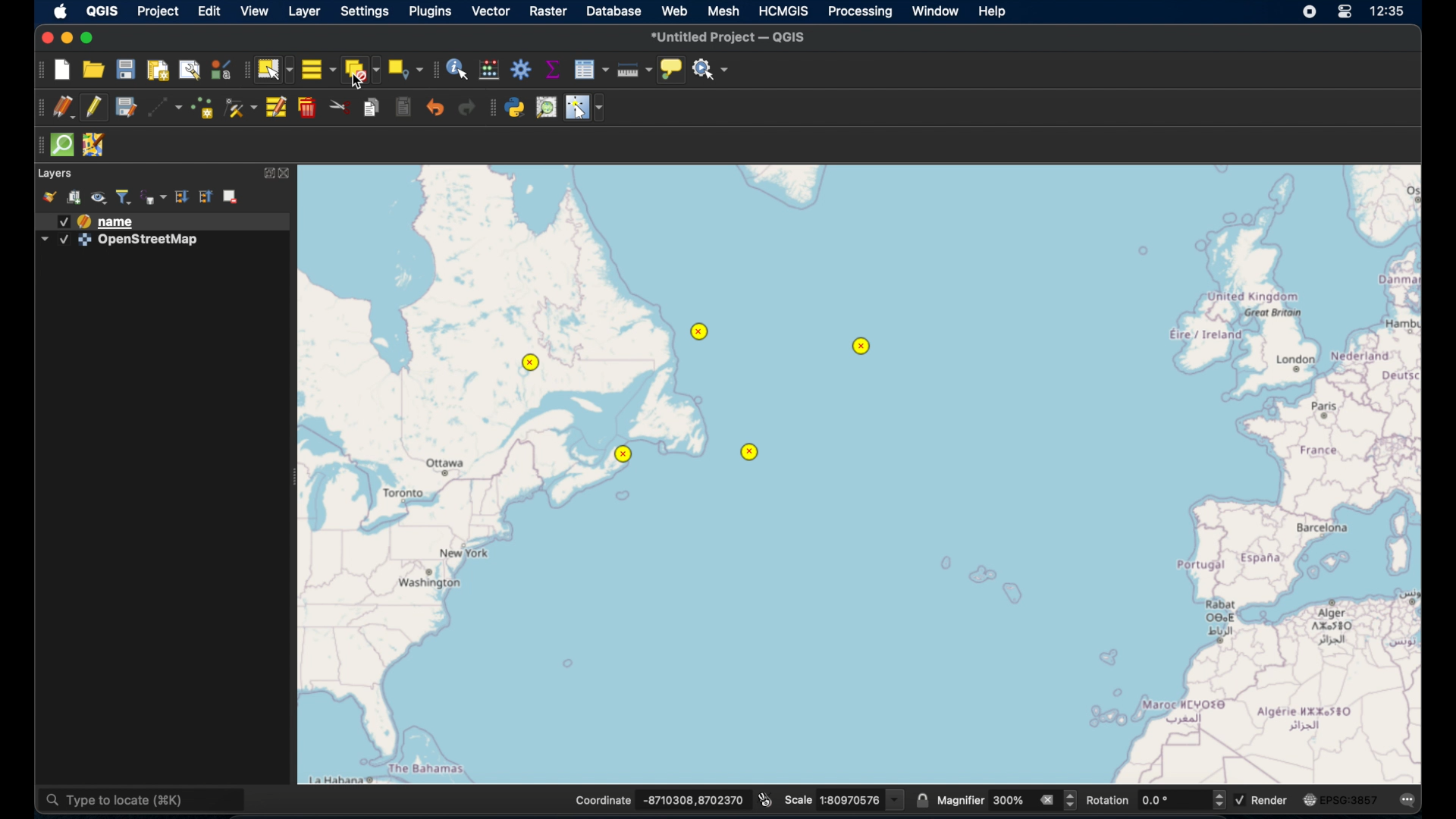 This screenshot has height=819, width=1456. What do you see at coordinates (63, 221) in the screenshot?
I see `checked checkbox` at bounding box center [63, 221].